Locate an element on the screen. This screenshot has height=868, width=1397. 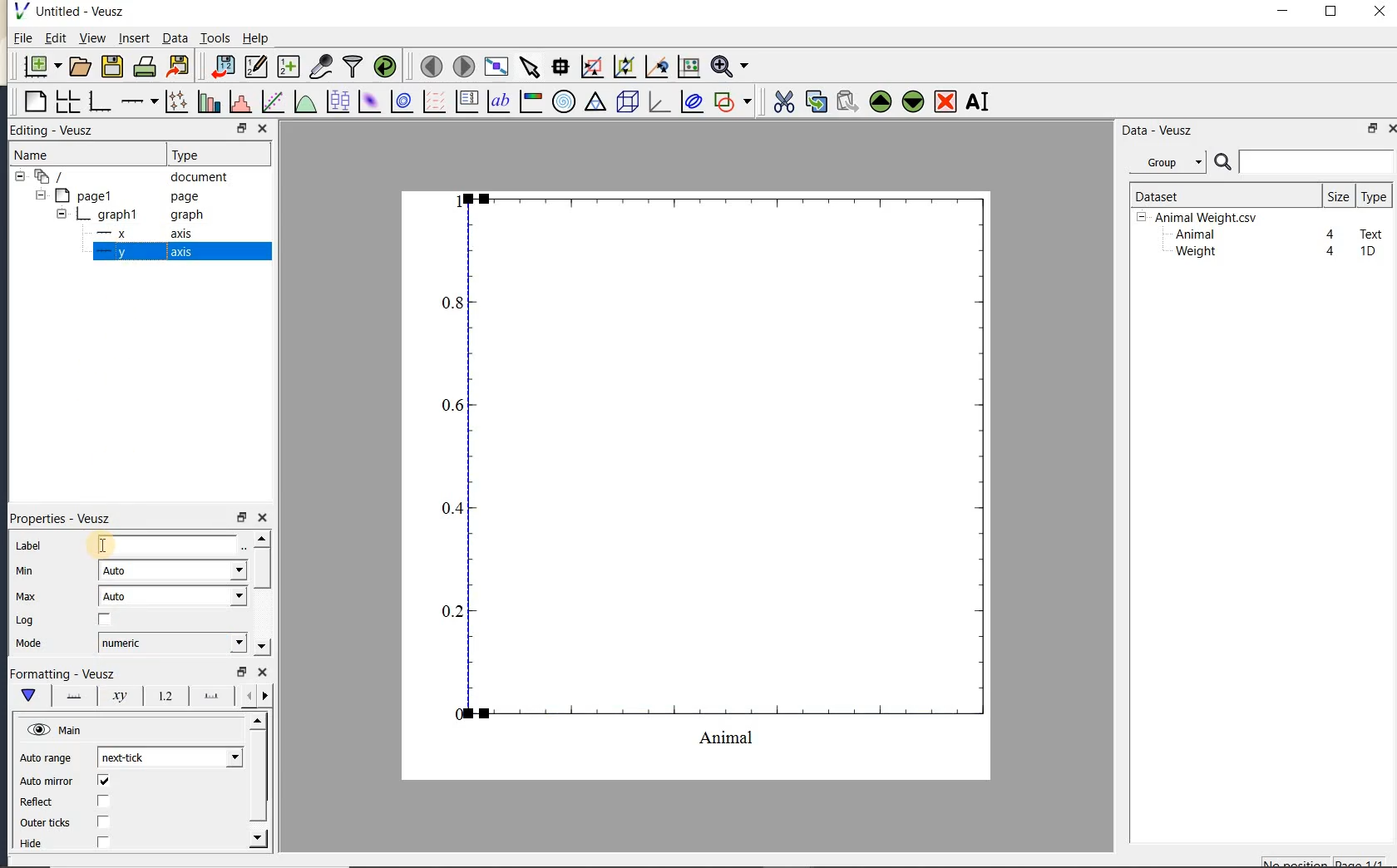
move the selected widget down is located at coordinates (913, 101).